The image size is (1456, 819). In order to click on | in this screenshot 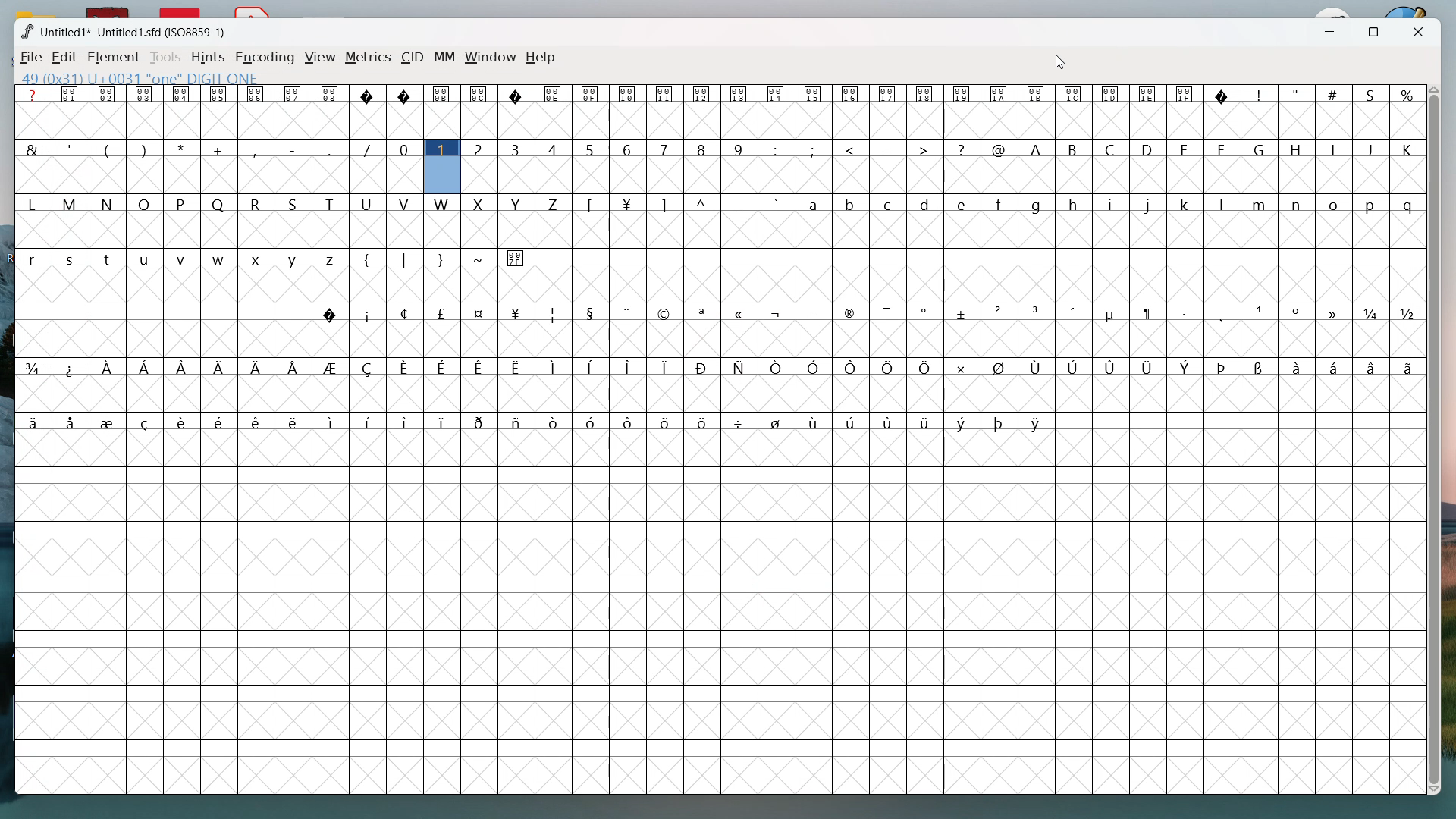, I will do `click(406, 259)`.